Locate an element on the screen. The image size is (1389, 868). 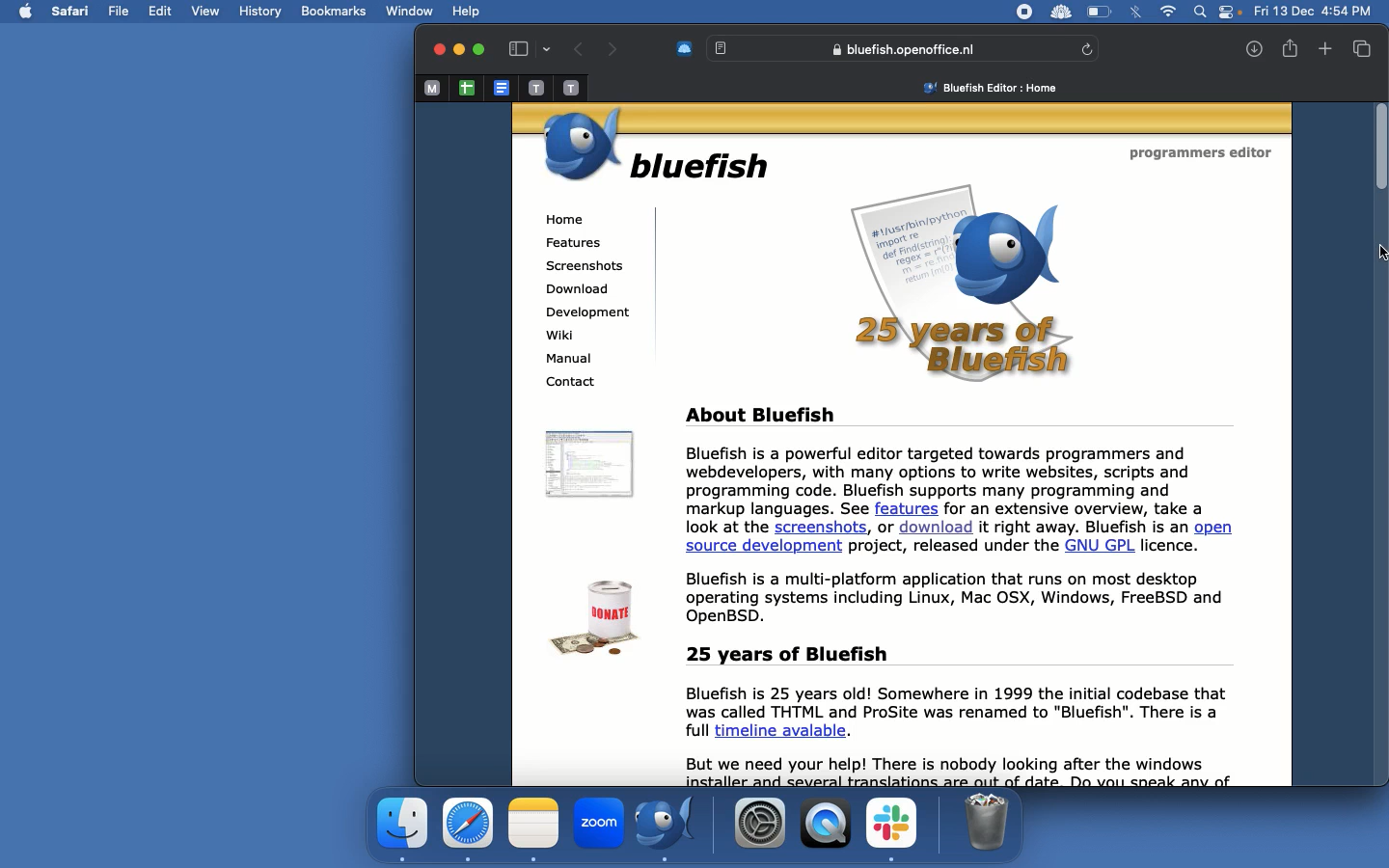
Safari is located at coordinates (73, 10).